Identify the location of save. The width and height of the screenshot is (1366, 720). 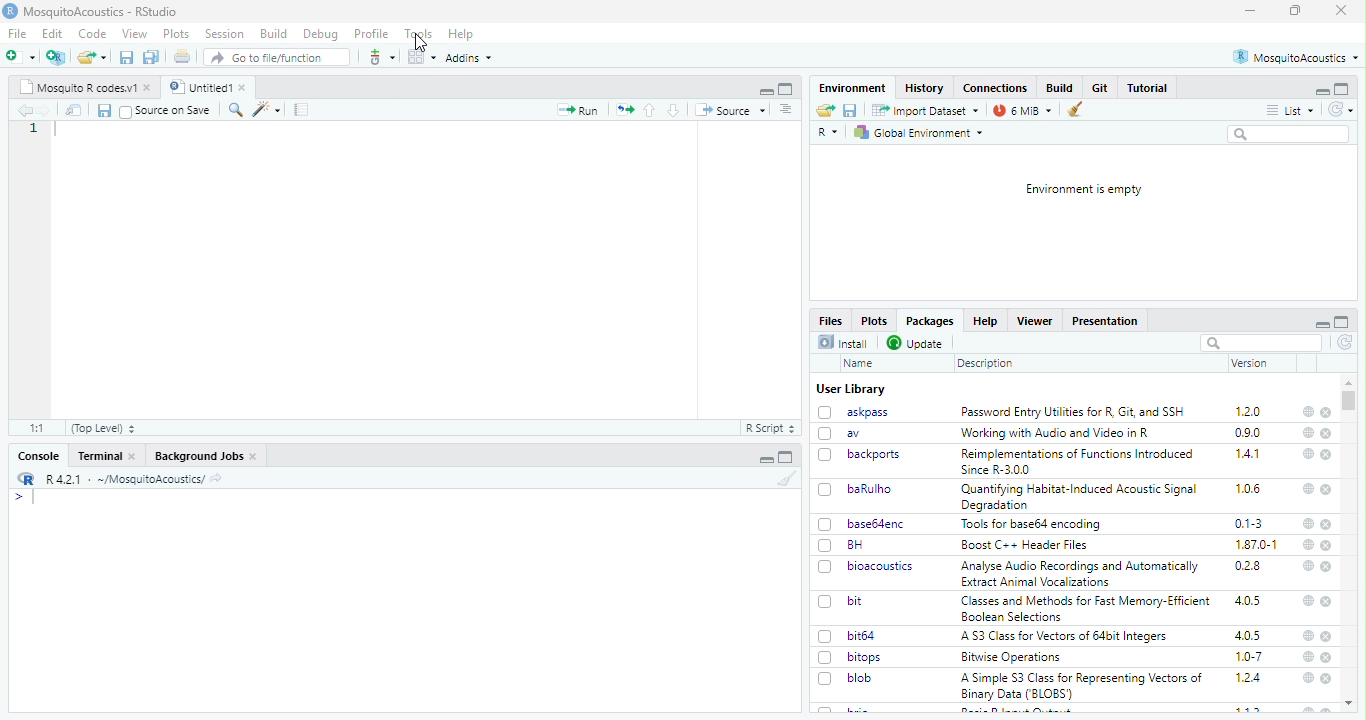
(851, 110).